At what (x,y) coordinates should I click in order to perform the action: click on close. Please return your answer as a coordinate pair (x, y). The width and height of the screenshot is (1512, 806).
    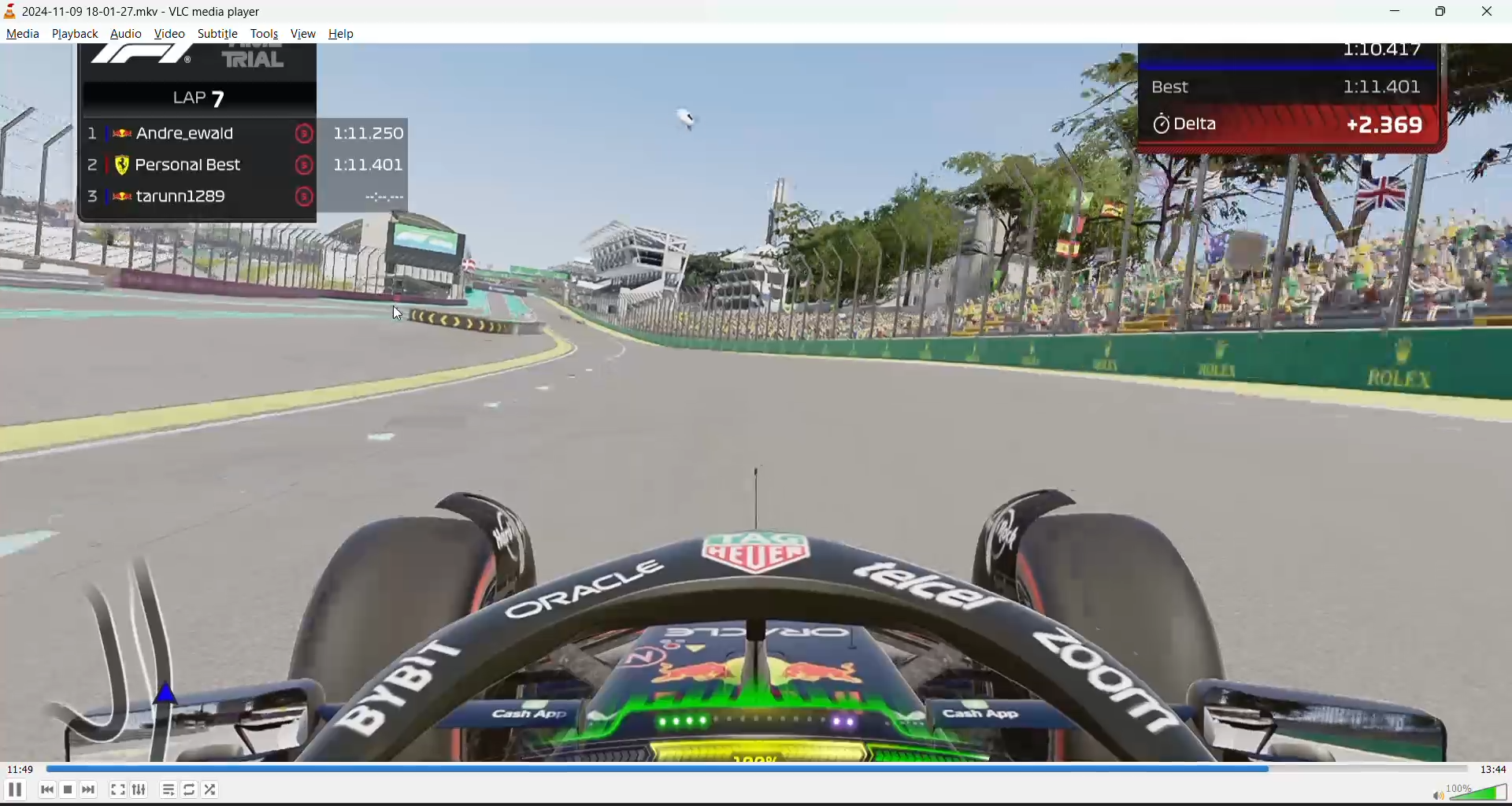
    Looking at the image, I should click on (1493, 12).